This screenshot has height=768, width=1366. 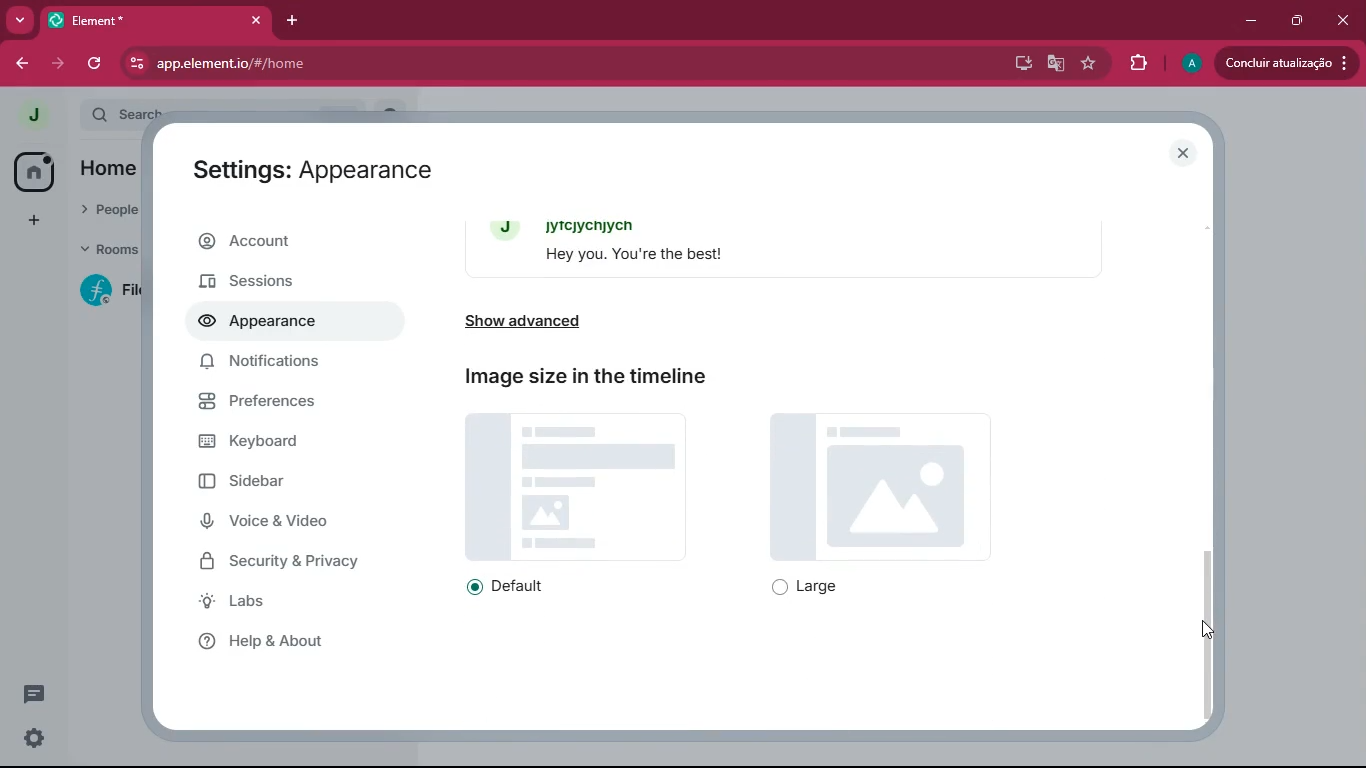 What do you see at coordinates (588, 376) in the screenshot?
I see `Image size in the timeline` at bounding box center [588, 376].